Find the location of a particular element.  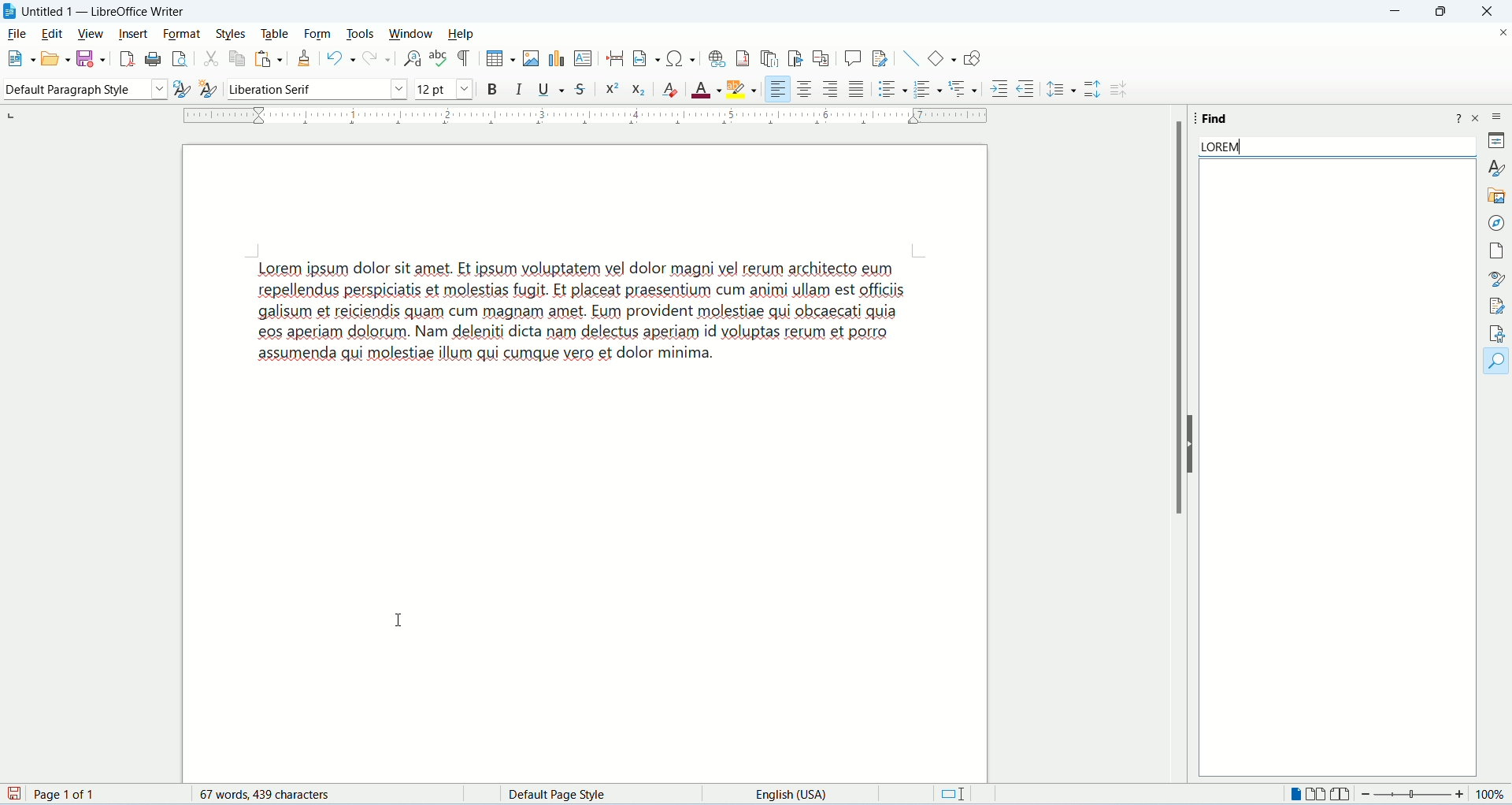

export as PDF is located at coordinates (128, 59).